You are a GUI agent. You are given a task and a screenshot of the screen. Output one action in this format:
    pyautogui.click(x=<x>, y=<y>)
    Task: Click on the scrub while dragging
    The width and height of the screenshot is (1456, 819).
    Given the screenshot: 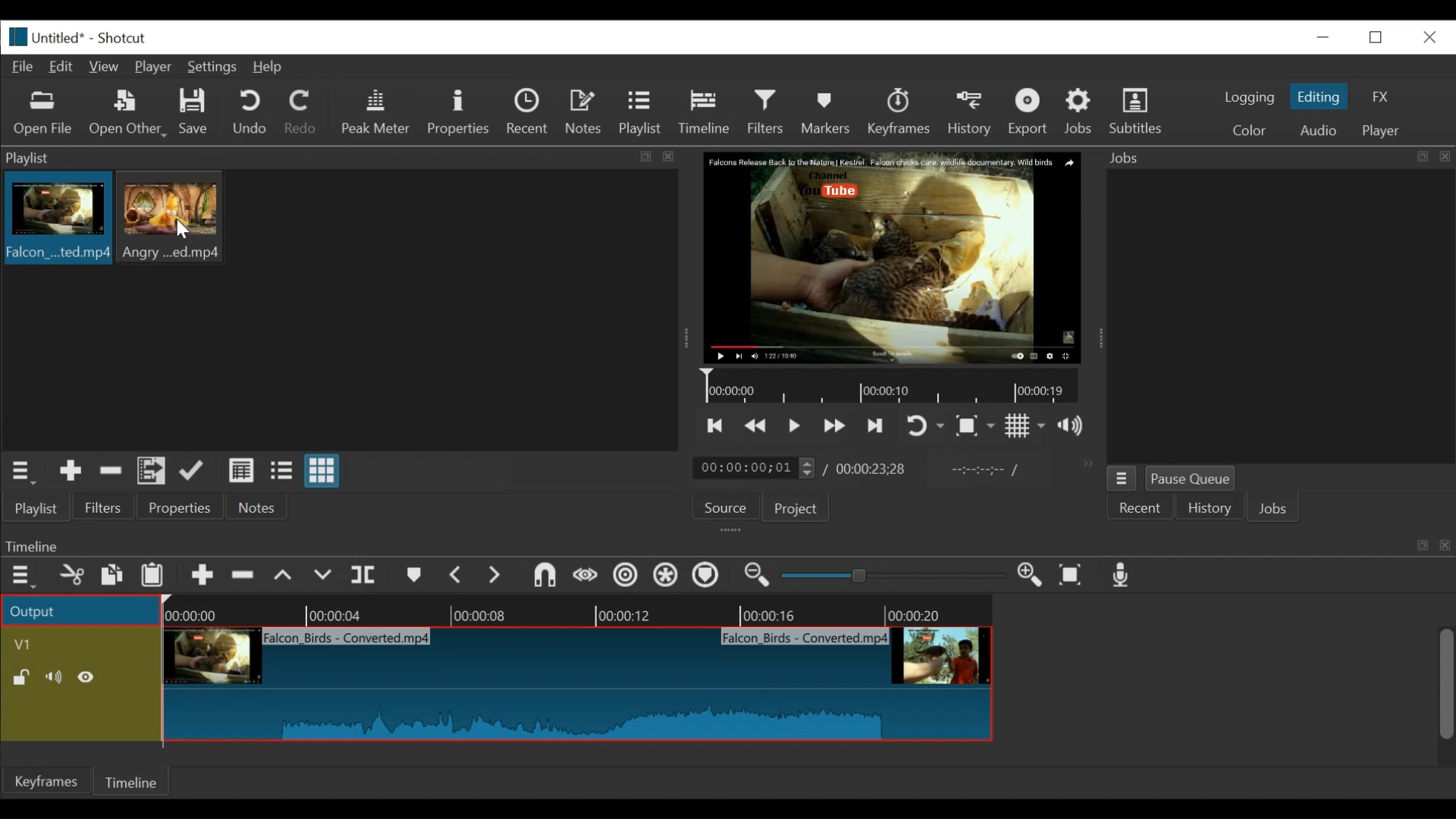 What is the action you would take?
    pyautogui.click(x=586, y=576)
    